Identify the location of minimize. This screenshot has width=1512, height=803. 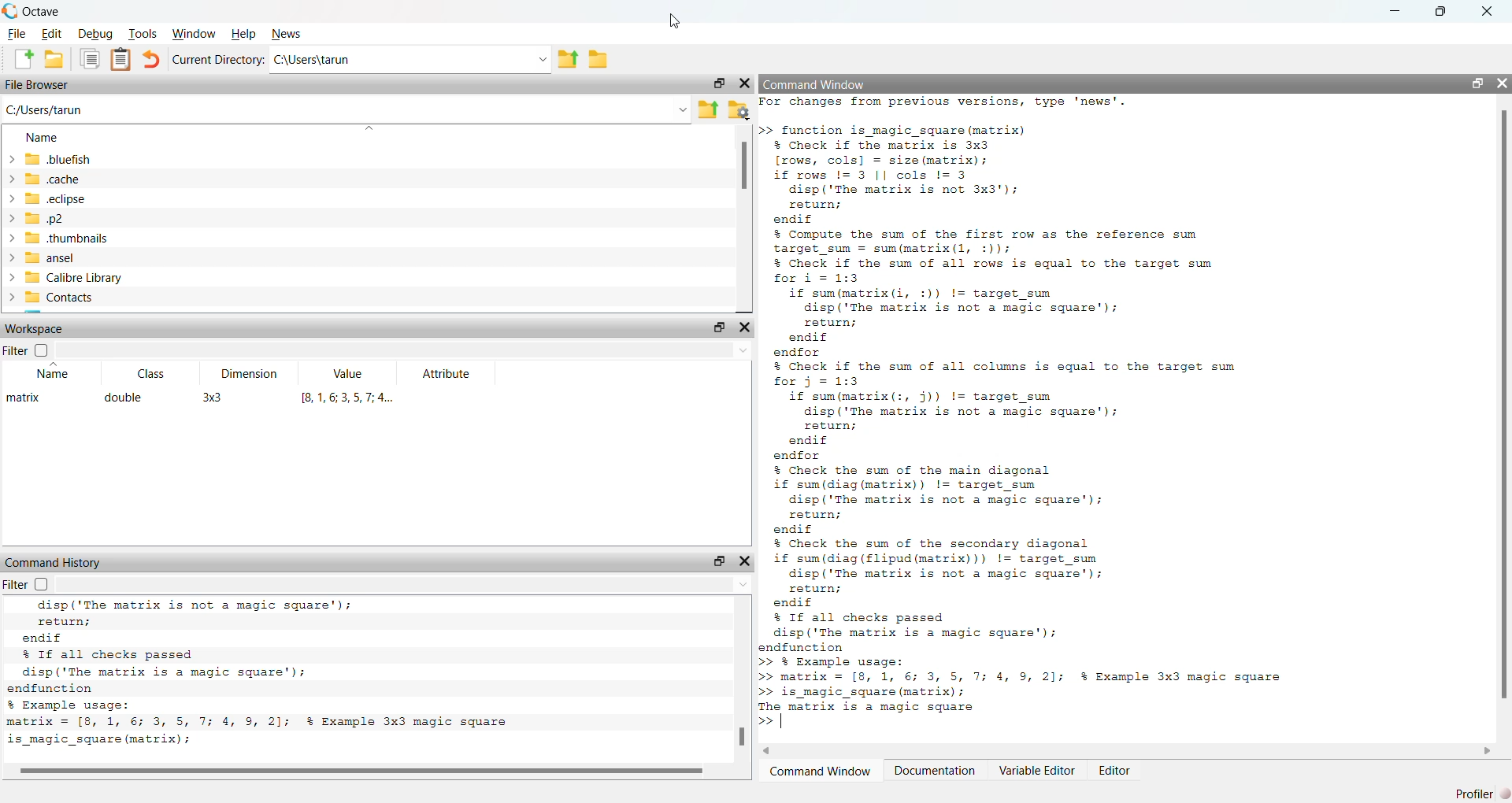
(1396, 10).